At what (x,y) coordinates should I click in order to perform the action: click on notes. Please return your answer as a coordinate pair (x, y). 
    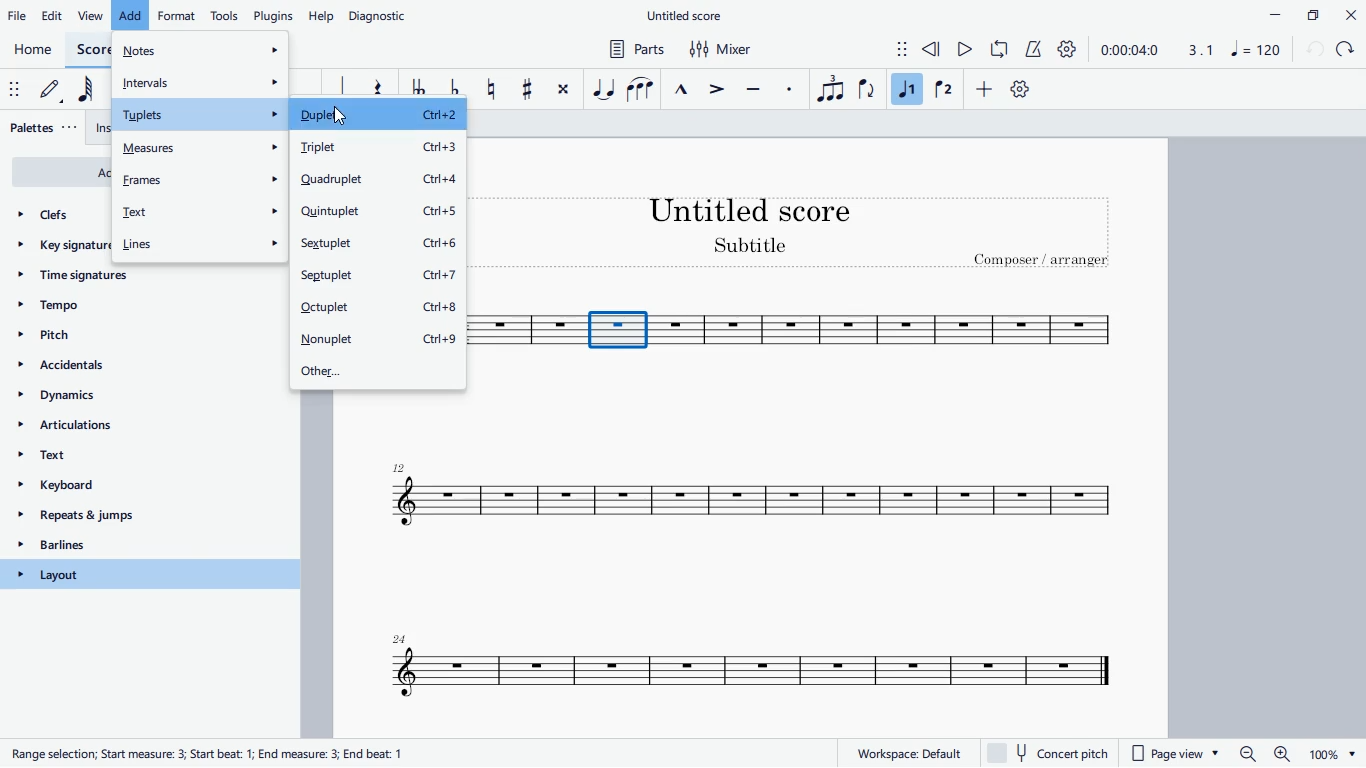
    Looking at the image, I should click on (201, 49).